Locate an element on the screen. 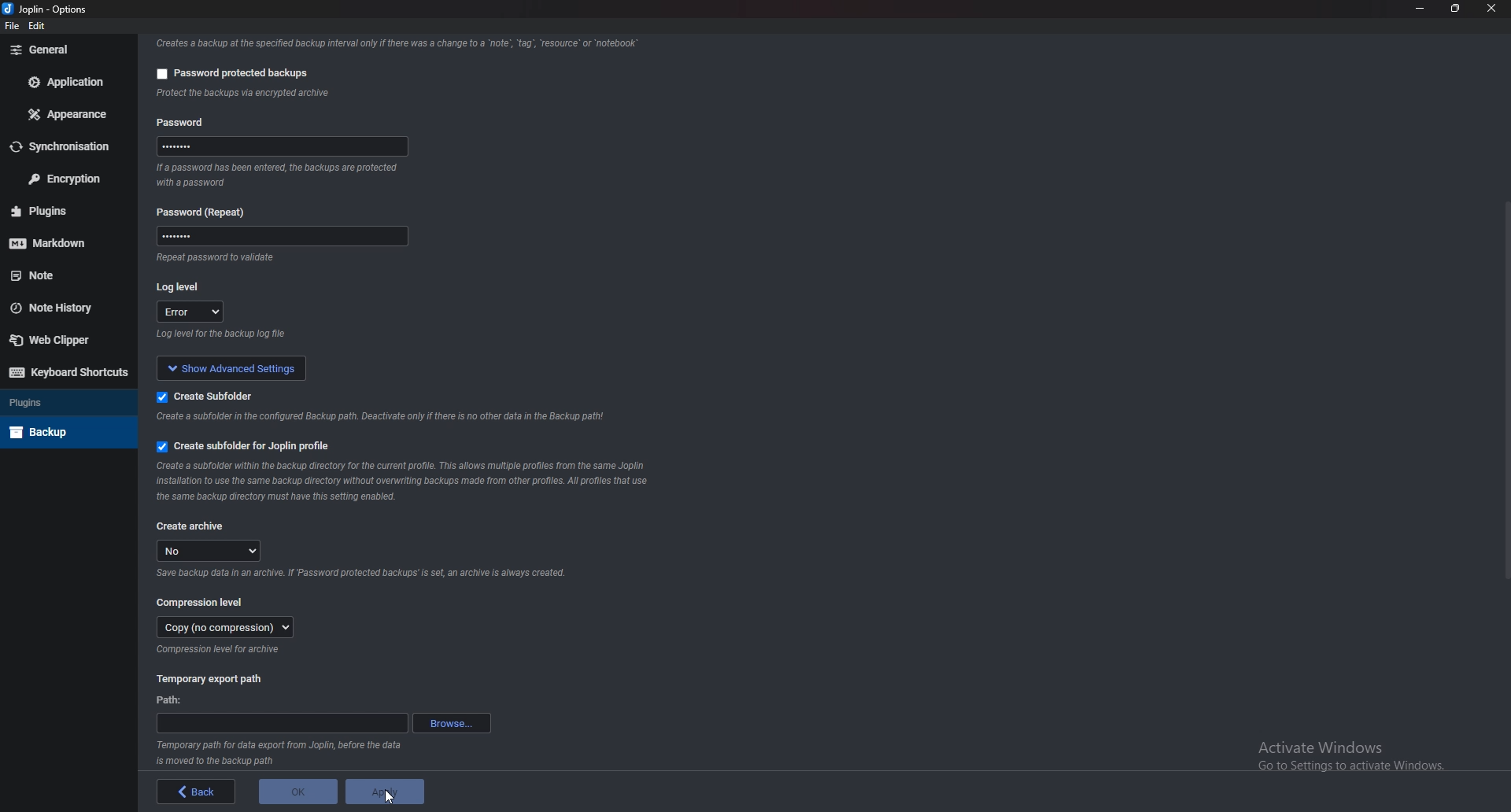 Image resolution: width=1511 pixels, height=812 pixels. Web clipper is located at coordinates (59, 339).